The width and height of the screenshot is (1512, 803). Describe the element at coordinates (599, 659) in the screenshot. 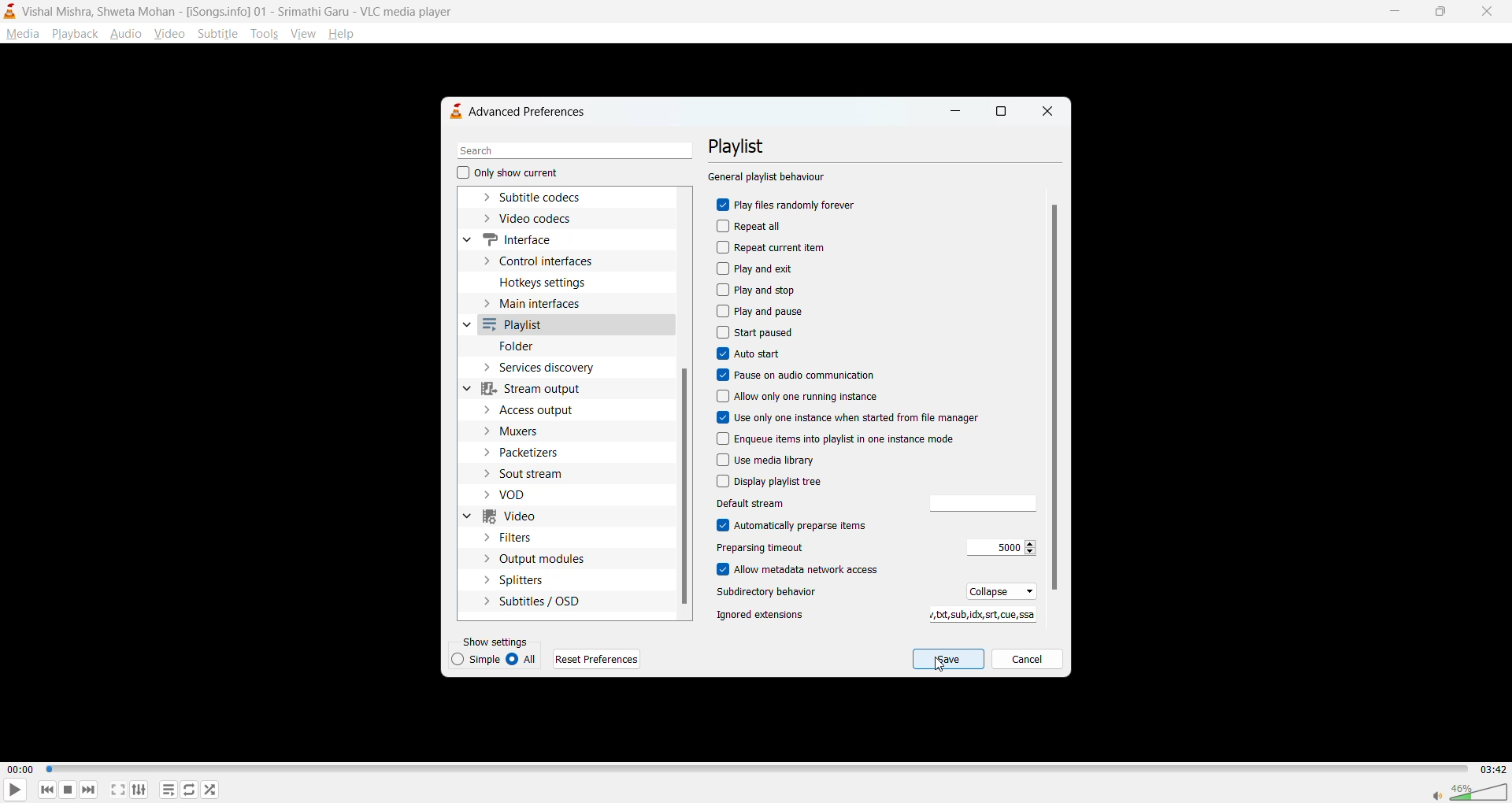

I see `reset preferences` at that location.